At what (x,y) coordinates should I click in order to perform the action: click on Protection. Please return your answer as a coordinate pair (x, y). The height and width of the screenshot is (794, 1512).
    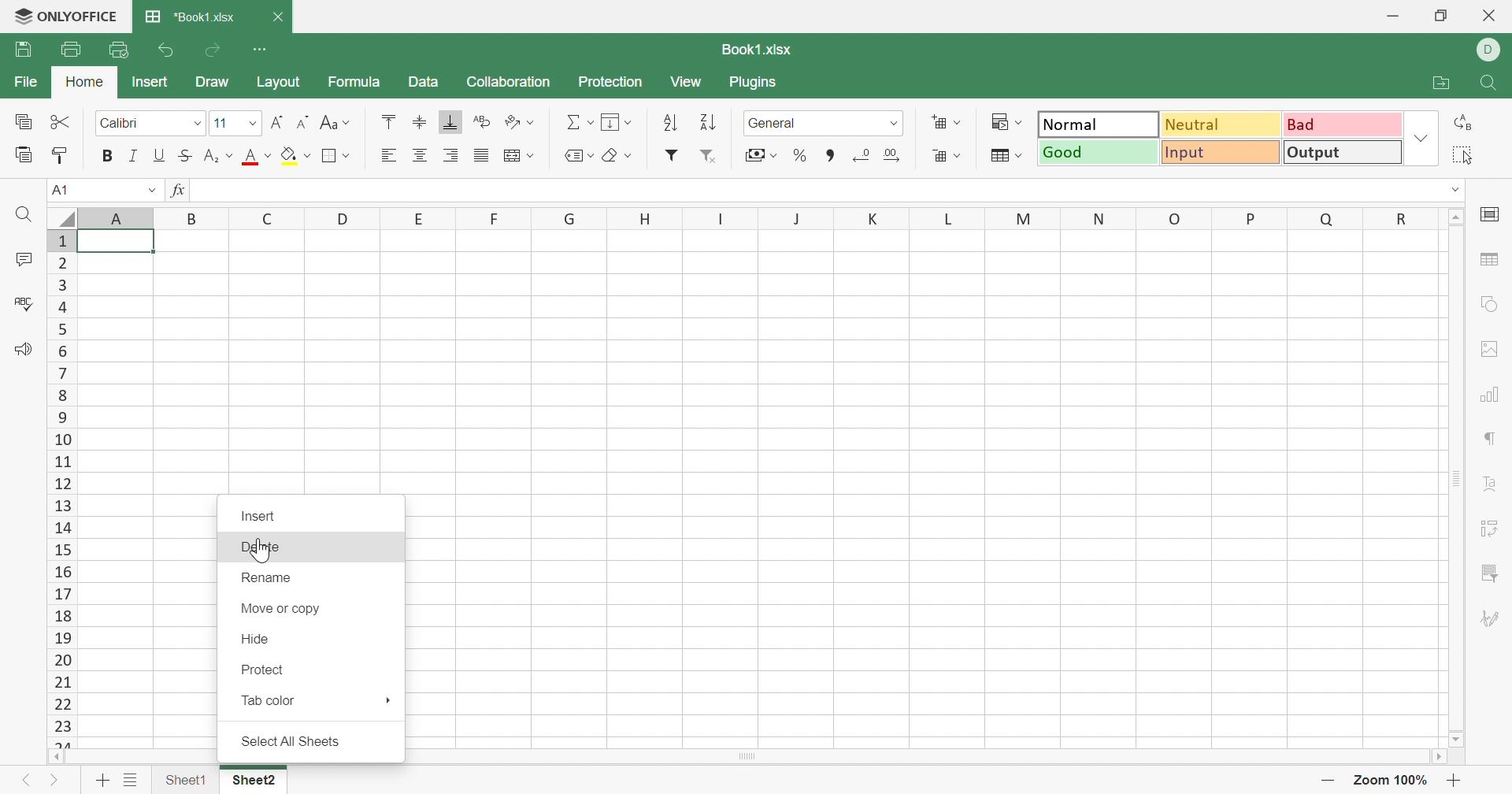
    Looking at the image, I should click on (613, 80).